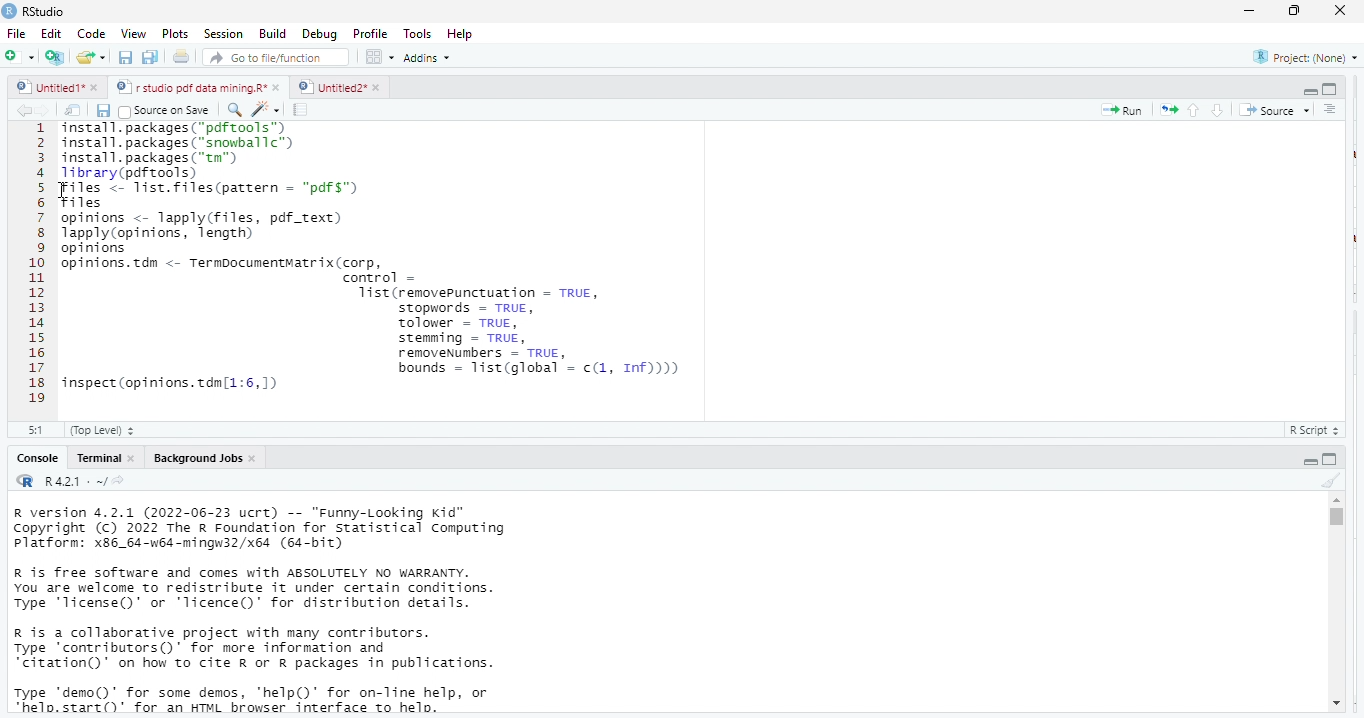  What do you see at coordinates (36, 458) in the screenshot?
I see `console` at bounding box center [36, 458].